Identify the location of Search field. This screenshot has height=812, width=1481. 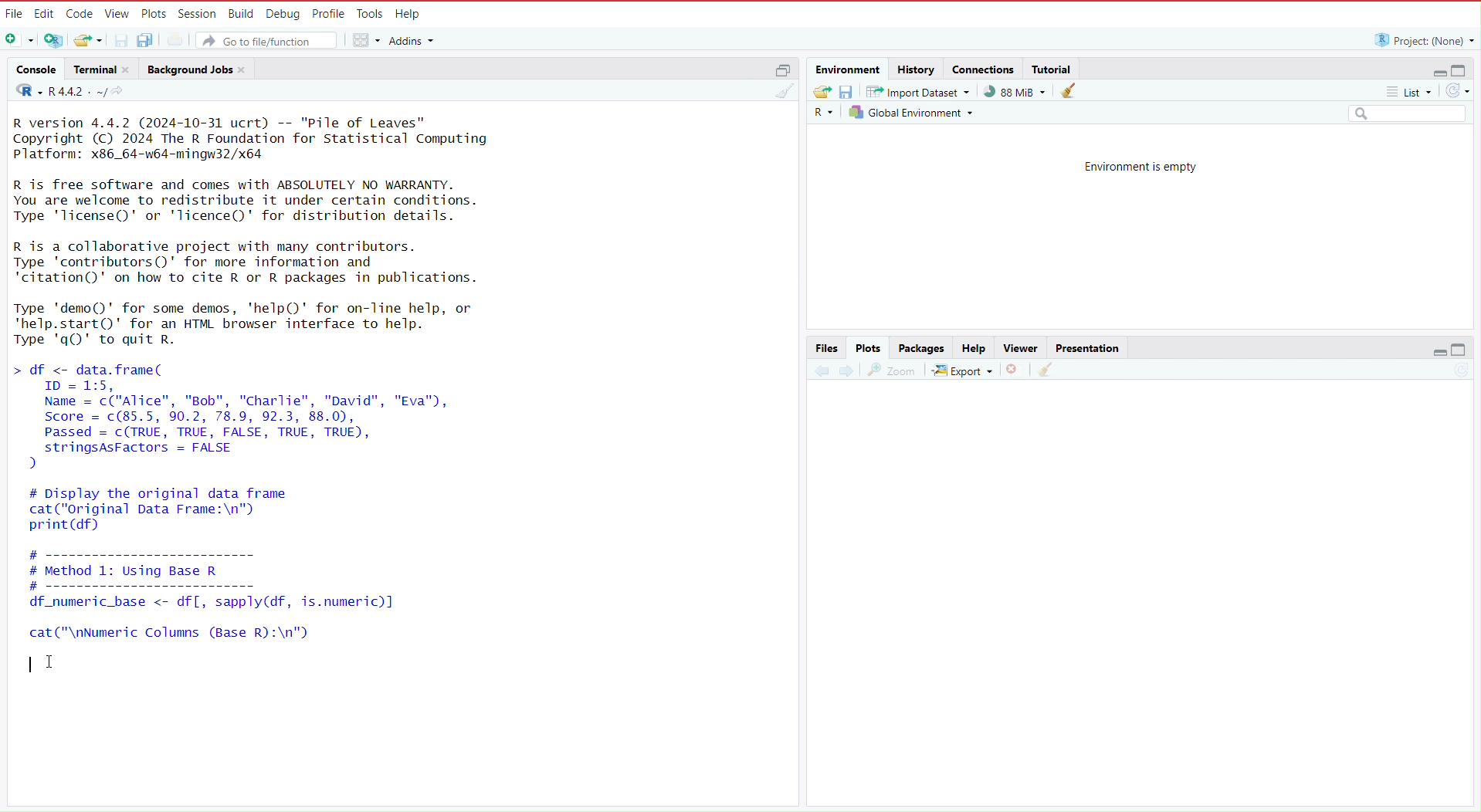
(1409, 112).